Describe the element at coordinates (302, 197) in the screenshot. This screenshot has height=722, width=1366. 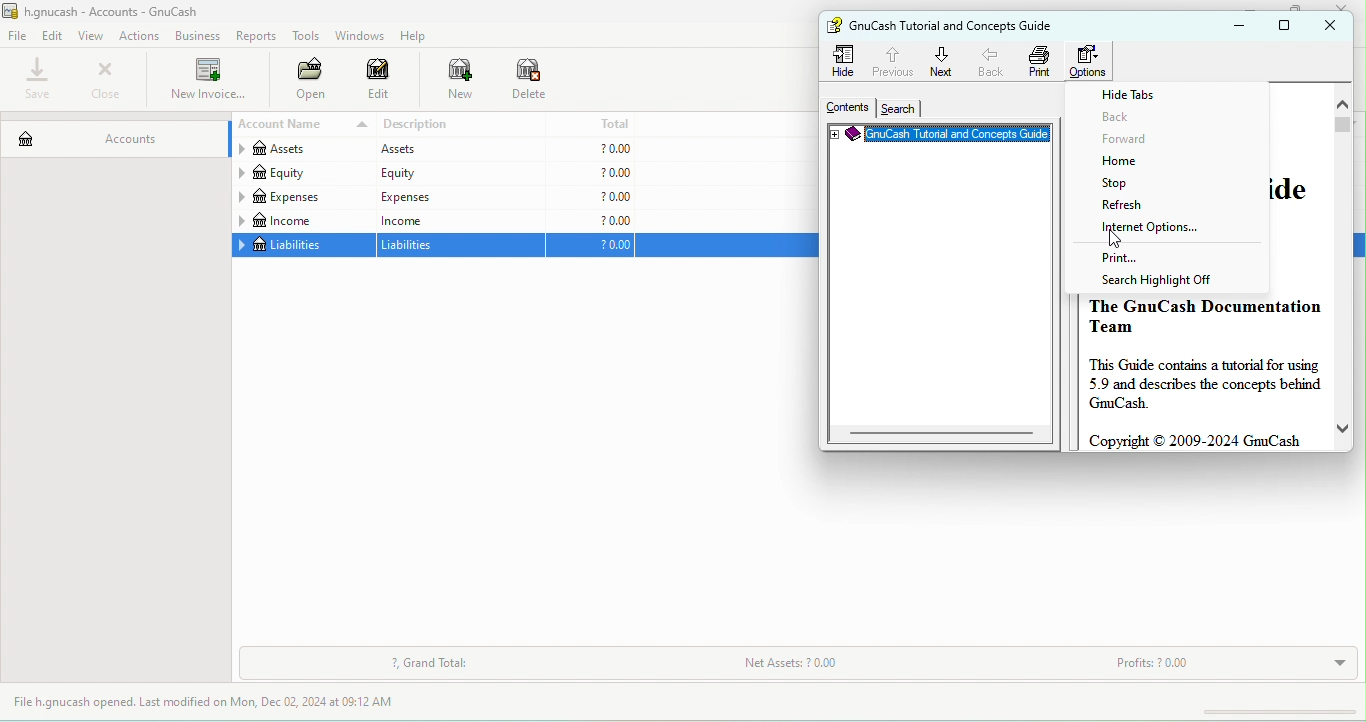
I see `expenses` at that location.